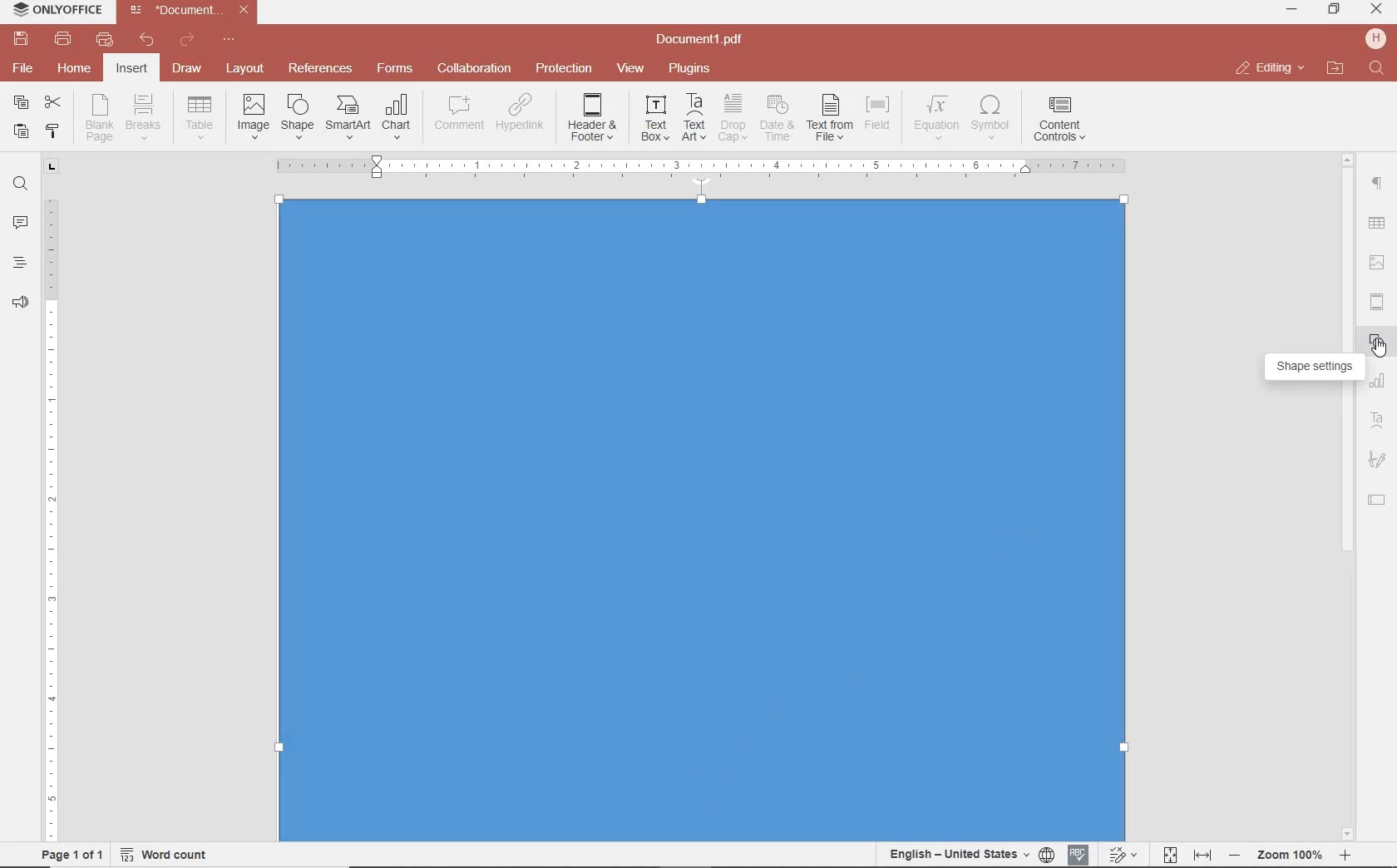  I want to click on COMMENT, so click(461, 113).